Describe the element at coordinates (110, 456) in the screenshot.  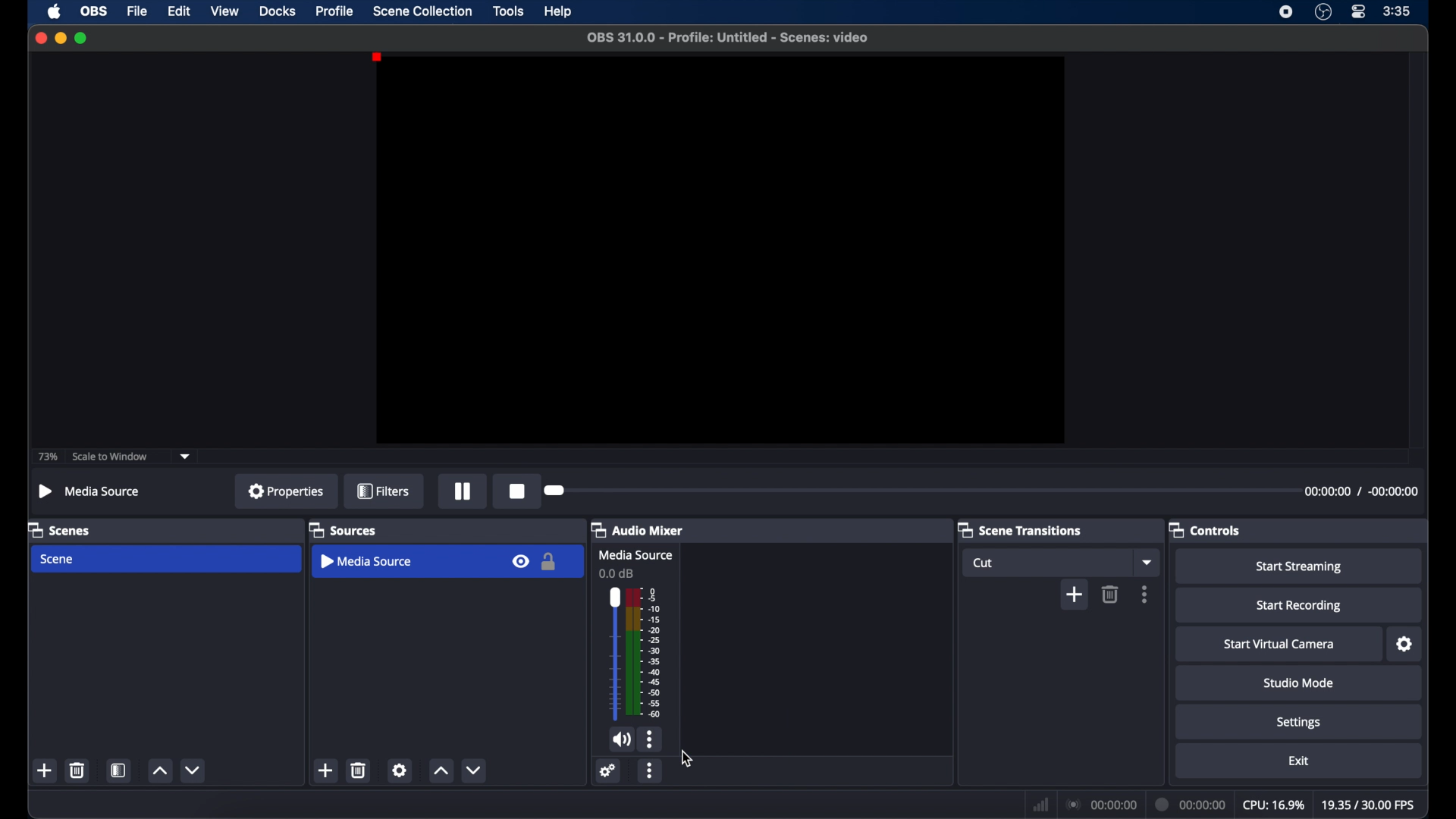
I see `scale to window` at that location.